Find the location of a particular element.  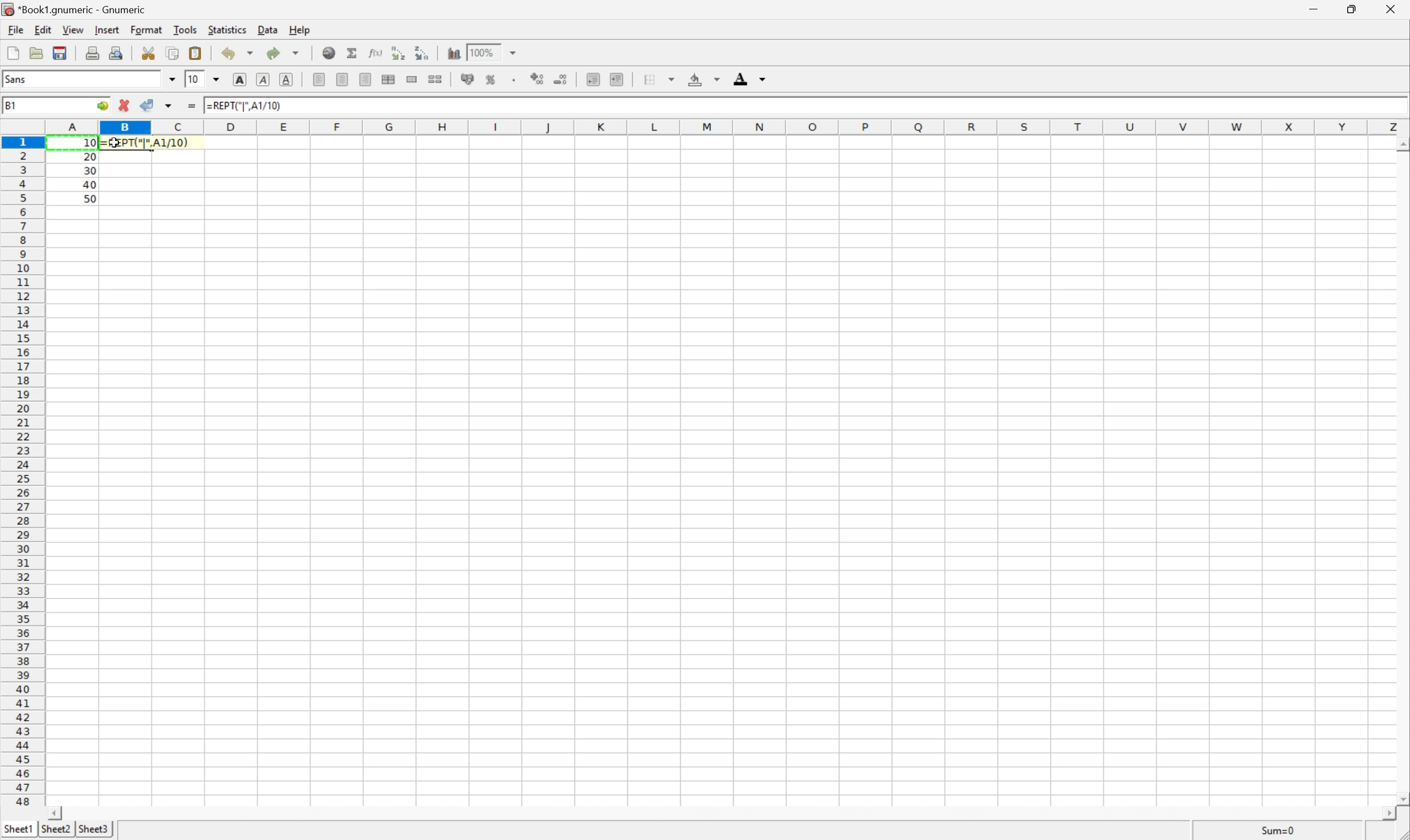

Background is located at coordinates (704, 79).